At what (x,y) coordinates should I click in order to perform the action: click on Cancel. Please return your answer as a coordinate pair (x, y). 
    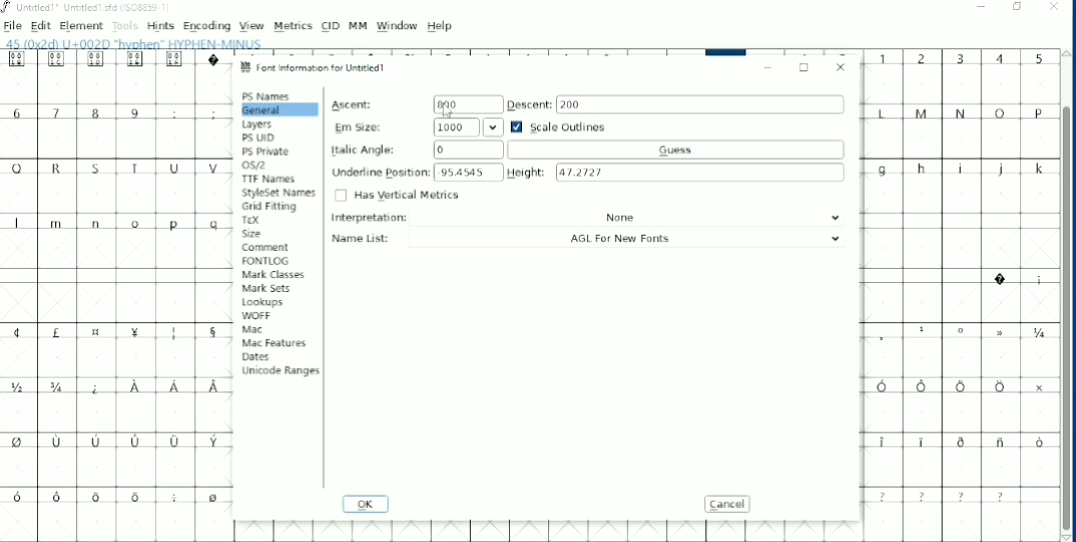
    Looking at the image, I should click on (730, 504).